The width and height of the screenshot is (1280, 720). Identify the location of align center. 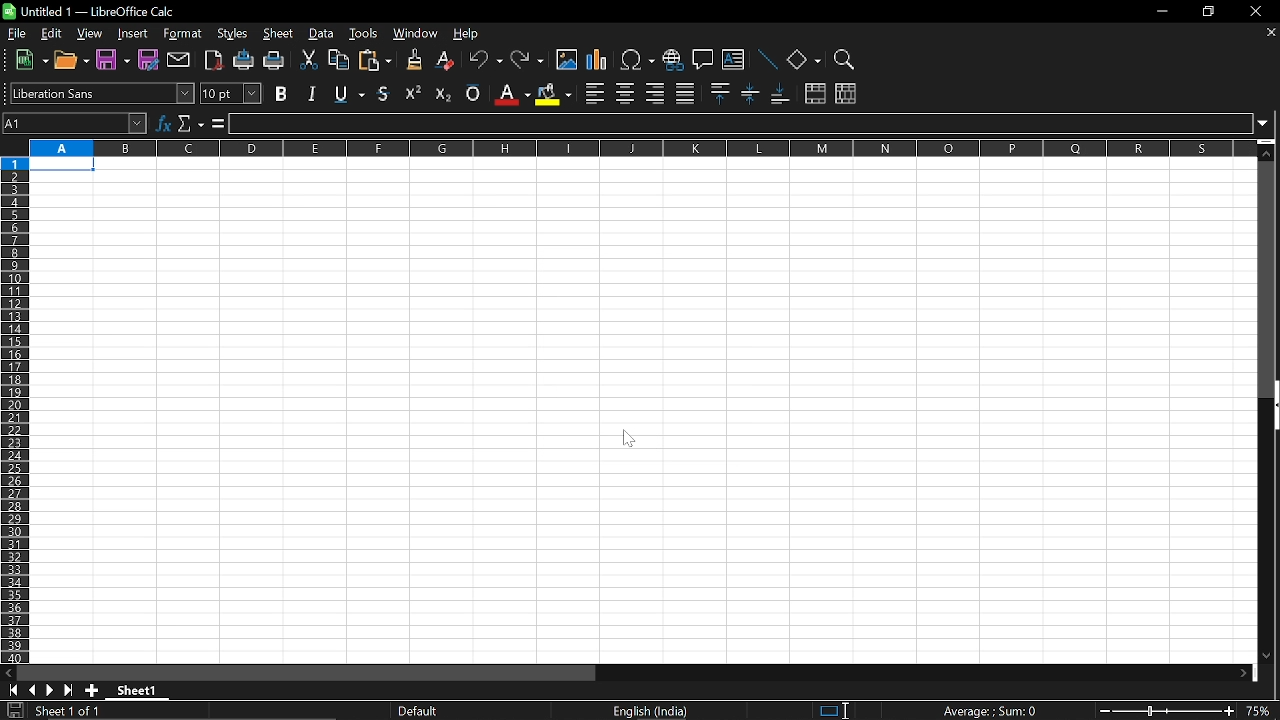
(625, 94).